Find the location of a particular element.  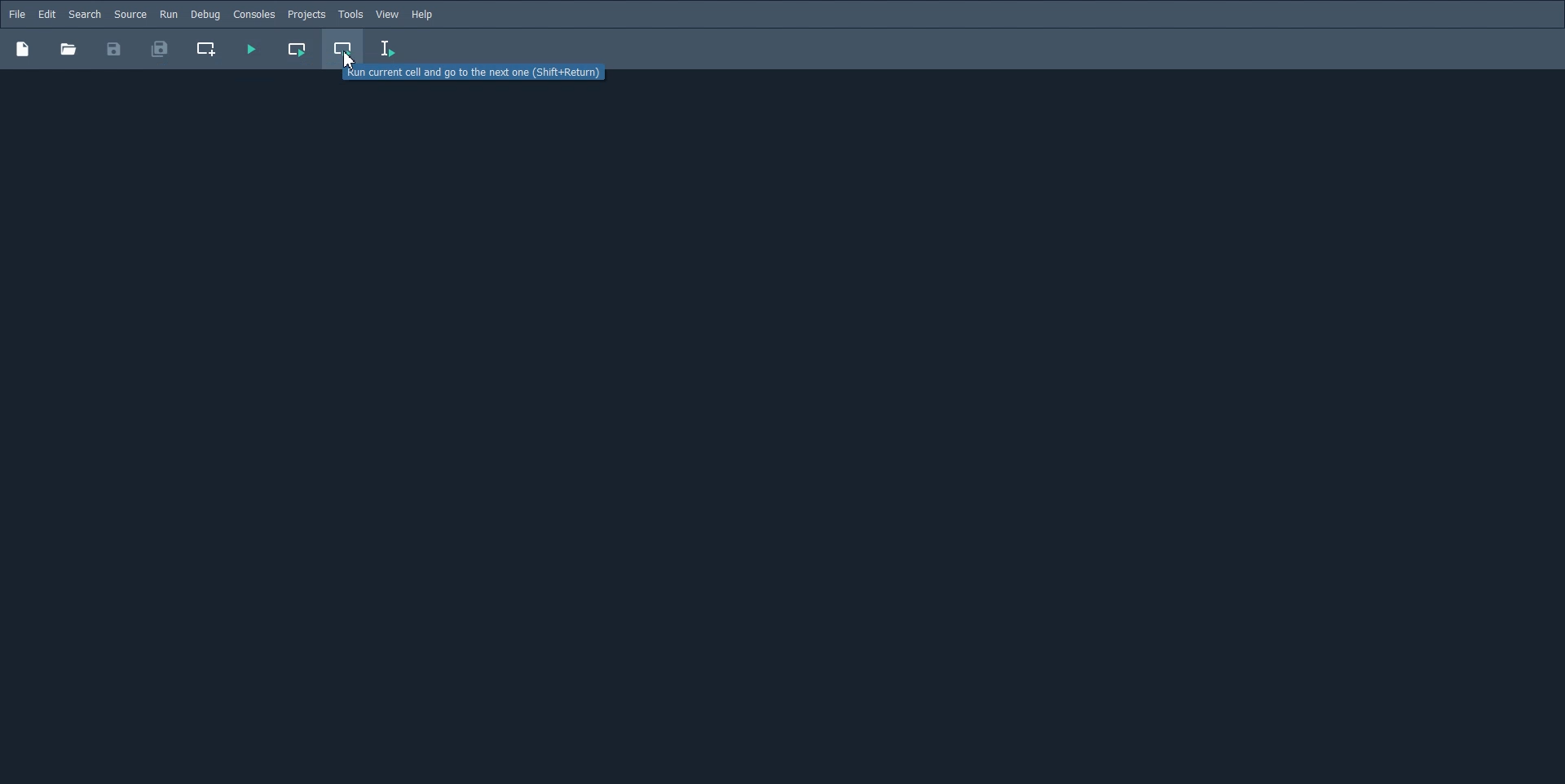

New file is located at coordinates (22, 48).